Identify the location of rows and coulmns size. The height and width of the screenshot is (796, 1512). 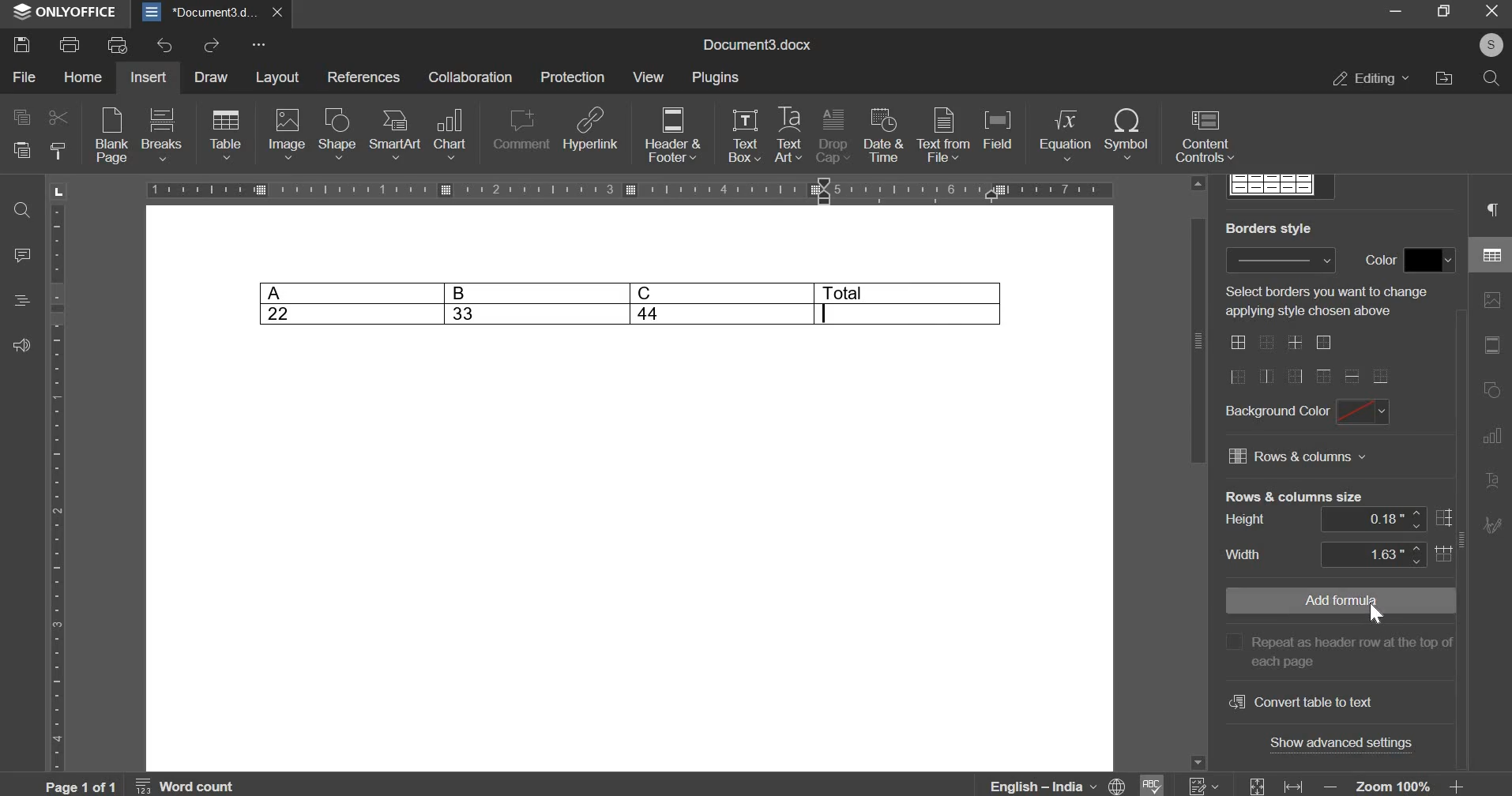
(1293, 495).